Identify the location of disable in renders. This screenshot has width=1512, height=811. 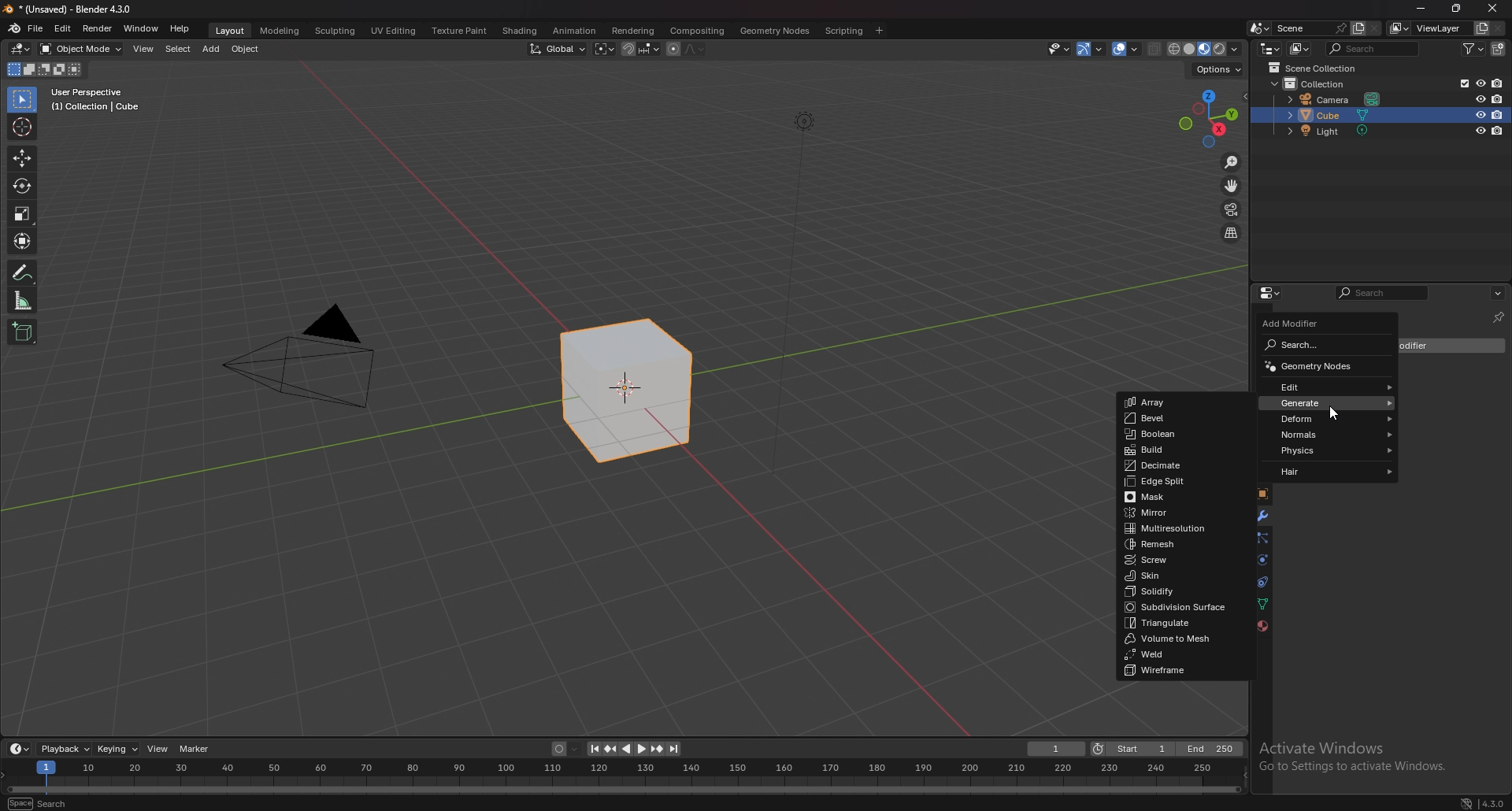
(1499, 130).